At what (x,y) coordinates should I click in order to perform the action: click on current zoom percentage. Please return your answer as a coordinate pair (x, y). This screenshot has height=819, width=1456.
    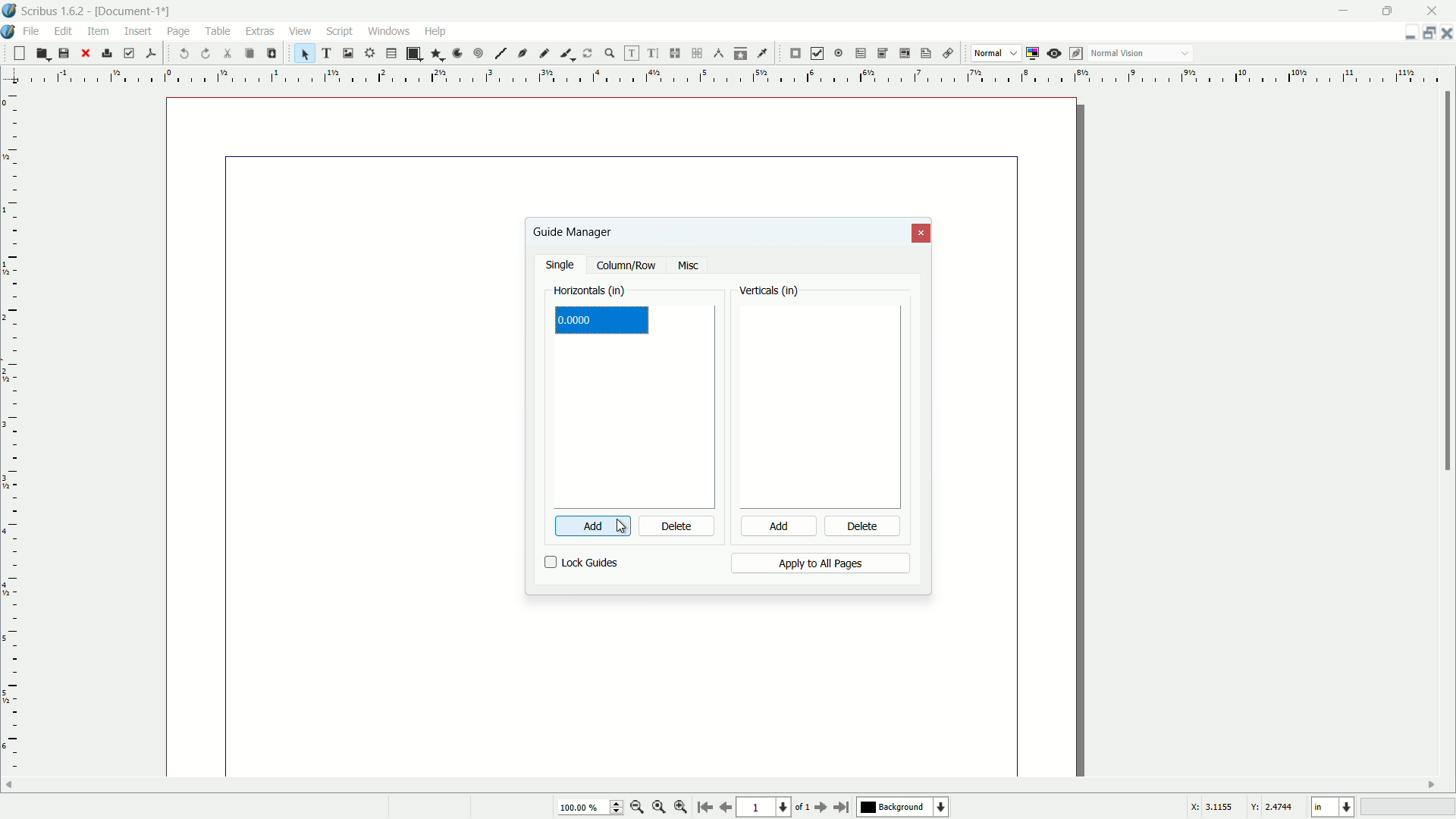
    Looking at the image, I should click on (588, 808).